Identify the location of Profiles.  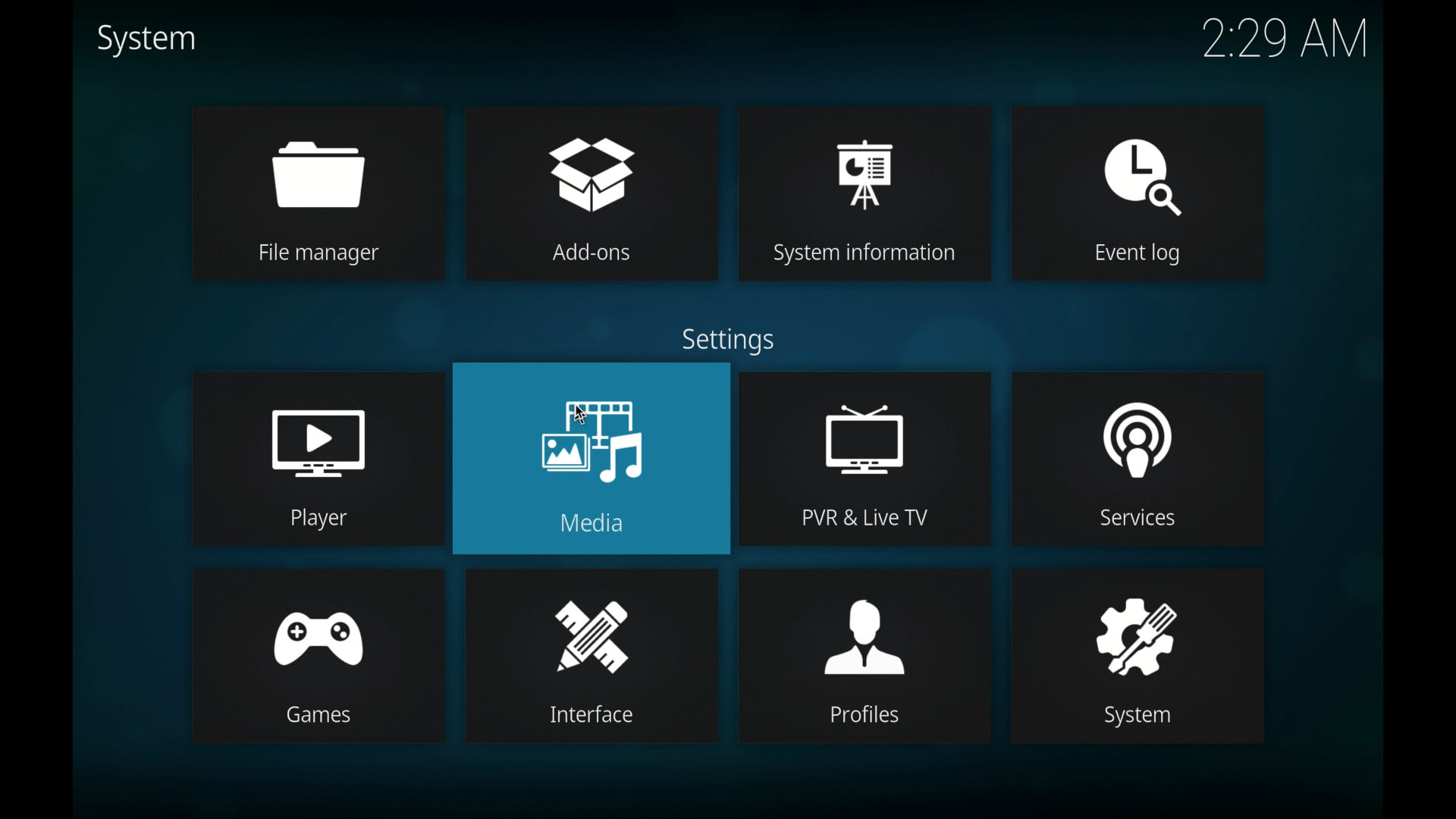
(868, 720).